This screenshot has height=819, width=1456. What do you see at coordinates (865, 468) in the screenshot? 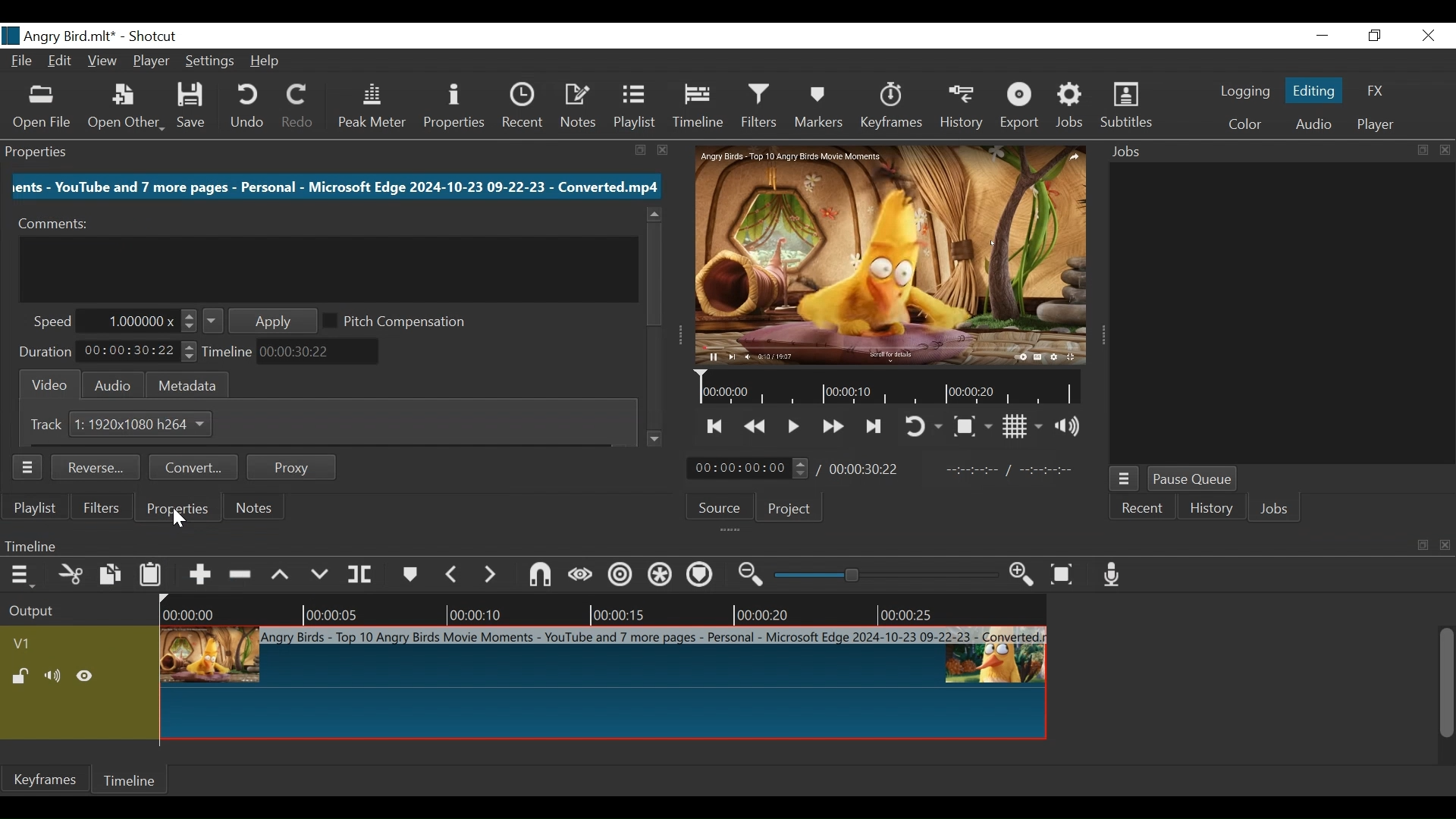
I see `Total Duration` at bounding box center [865, 468].